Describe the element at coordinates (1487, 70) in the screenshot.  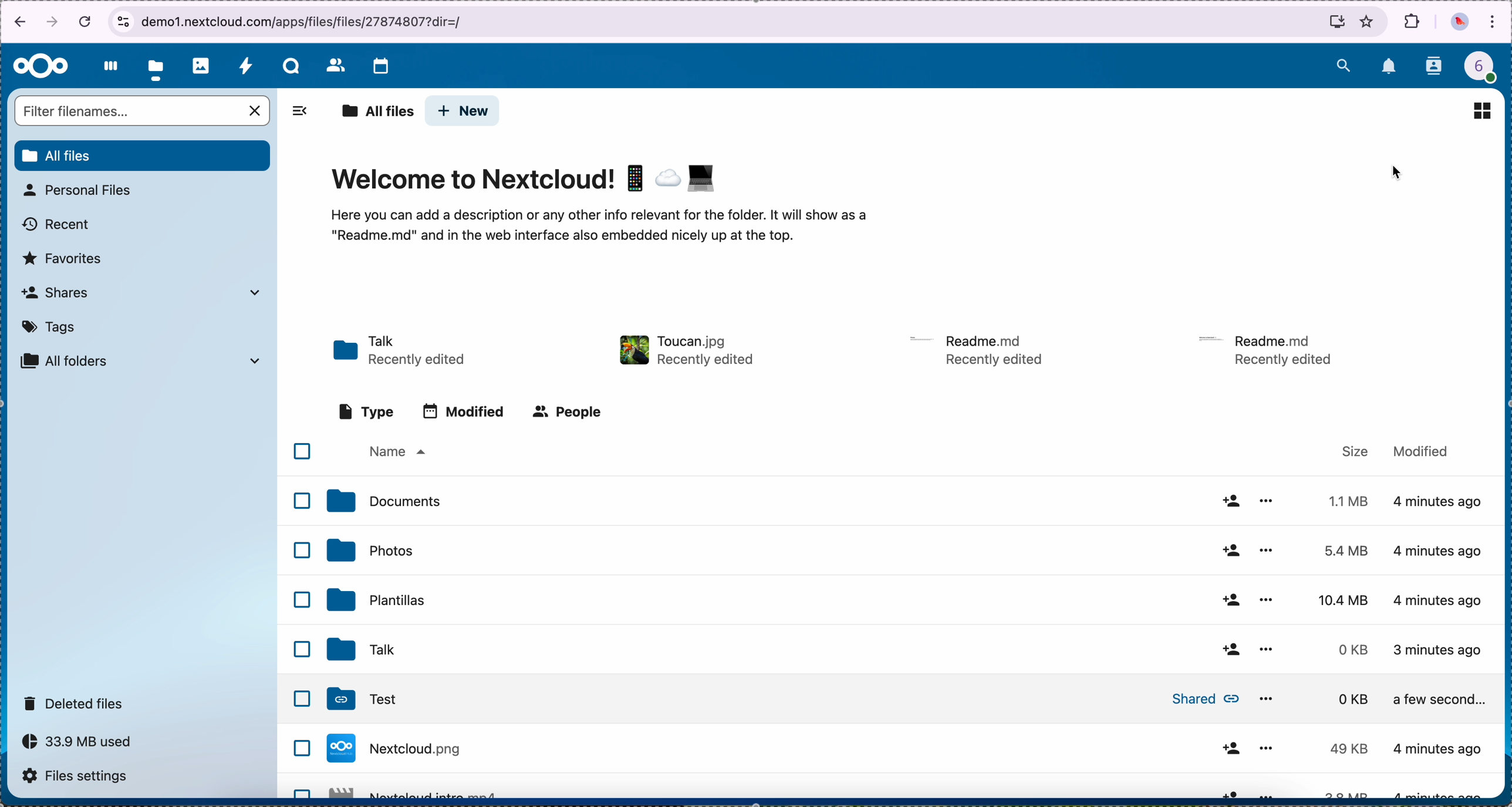
I see `profile` at that location.